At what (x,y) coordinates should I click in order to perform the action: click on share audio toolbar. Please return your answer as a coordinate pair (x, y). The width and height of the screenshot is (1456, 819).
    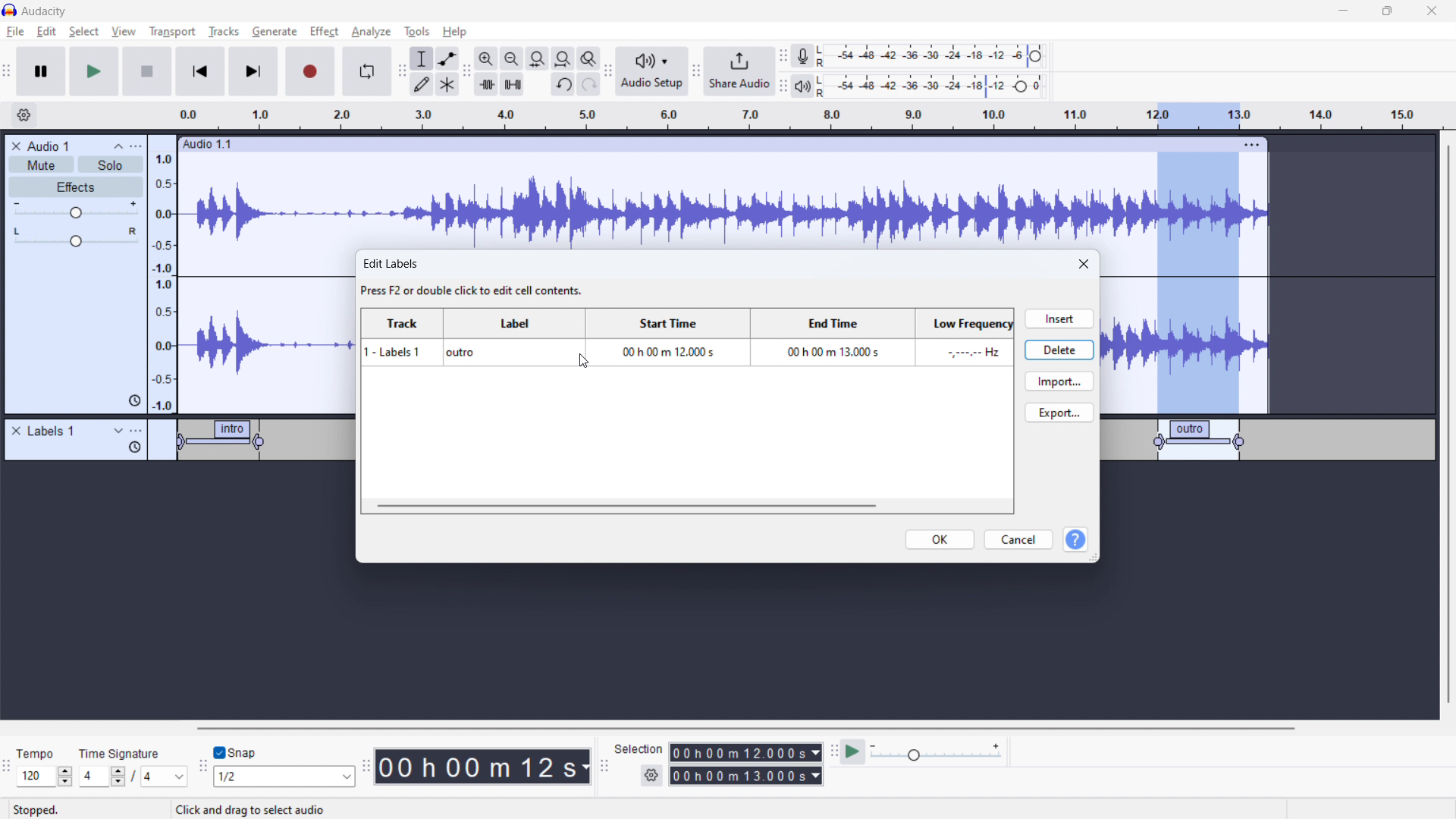
    Looking at the image, I should click on (696, 73).